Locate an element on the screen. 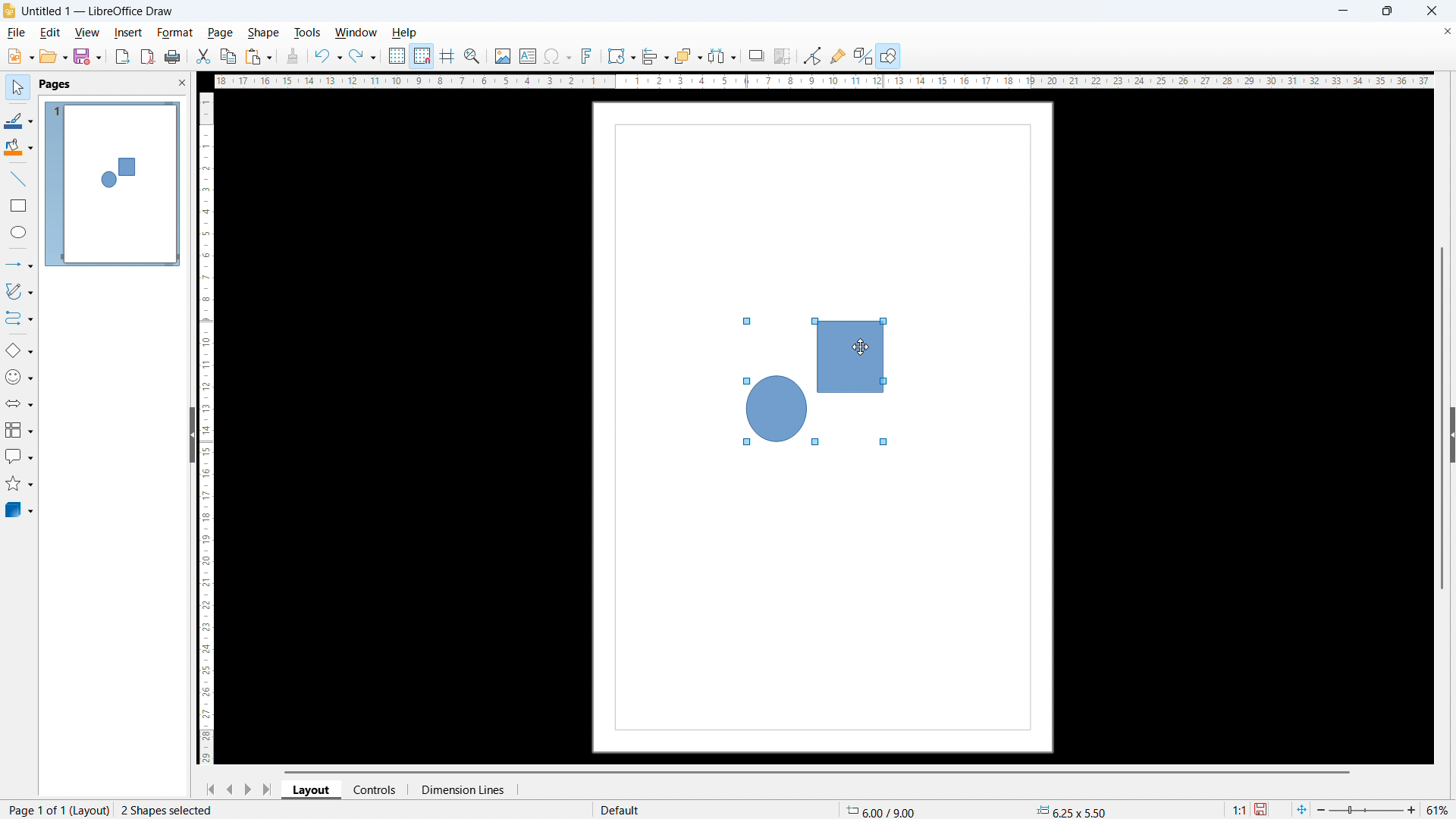 The height and width of the screenshot is (819, 1456). select is located at coordinates (17, 88).